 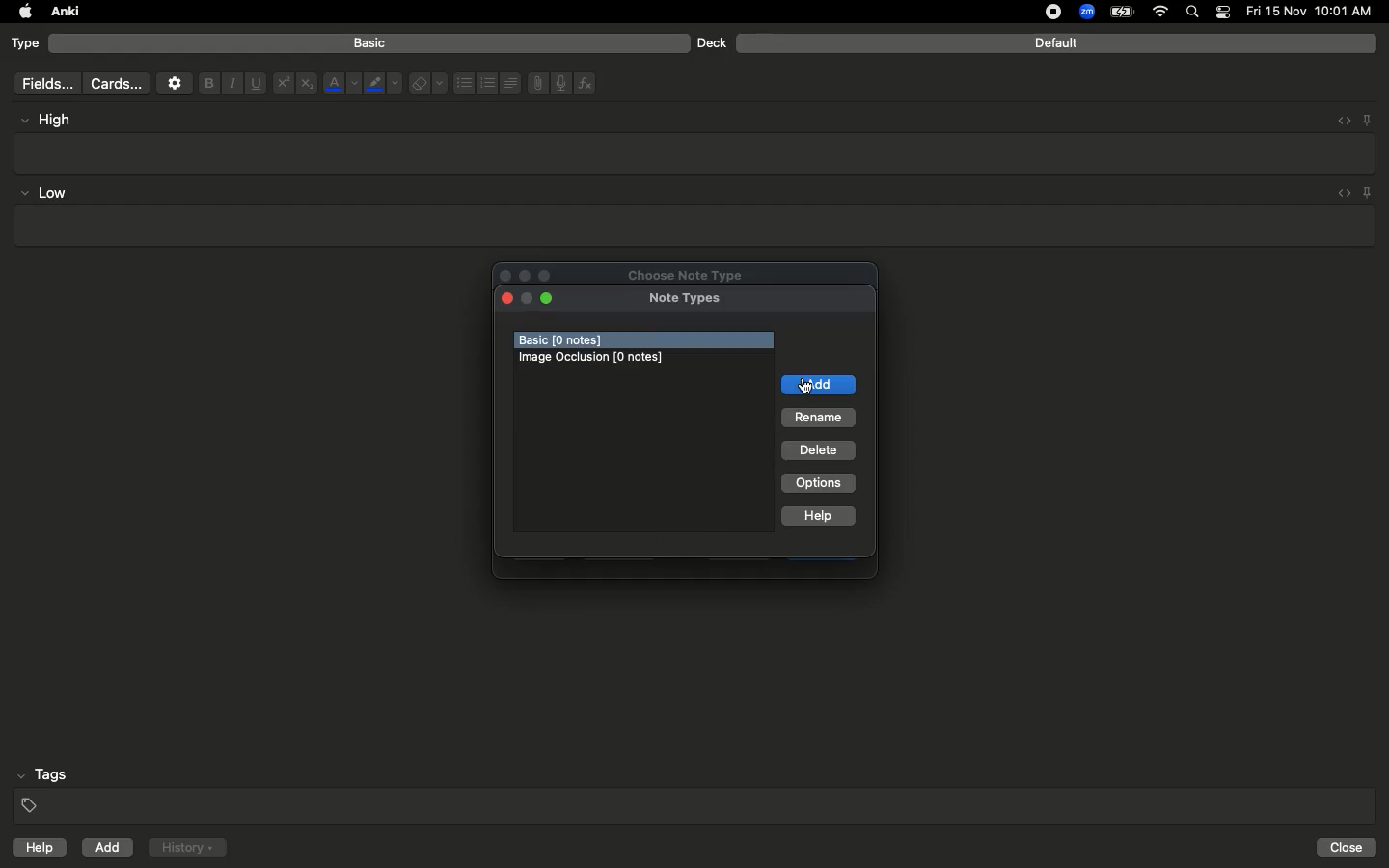 What do you see at coordinates (36, 850) in the screenshot?
I see `help` at bounding box center [36, 850].